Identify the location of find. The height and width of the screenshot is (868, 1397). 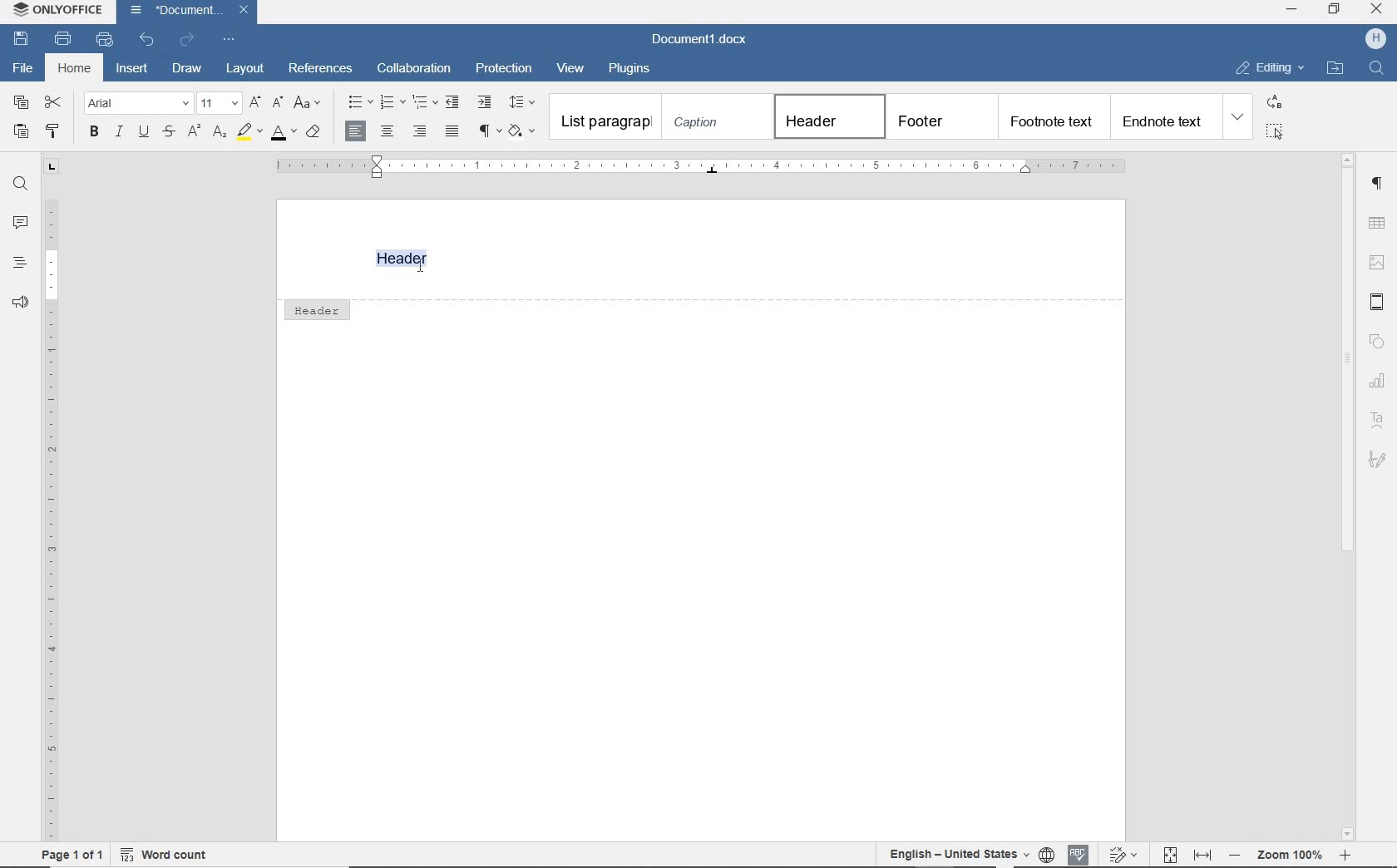
(18, 184).